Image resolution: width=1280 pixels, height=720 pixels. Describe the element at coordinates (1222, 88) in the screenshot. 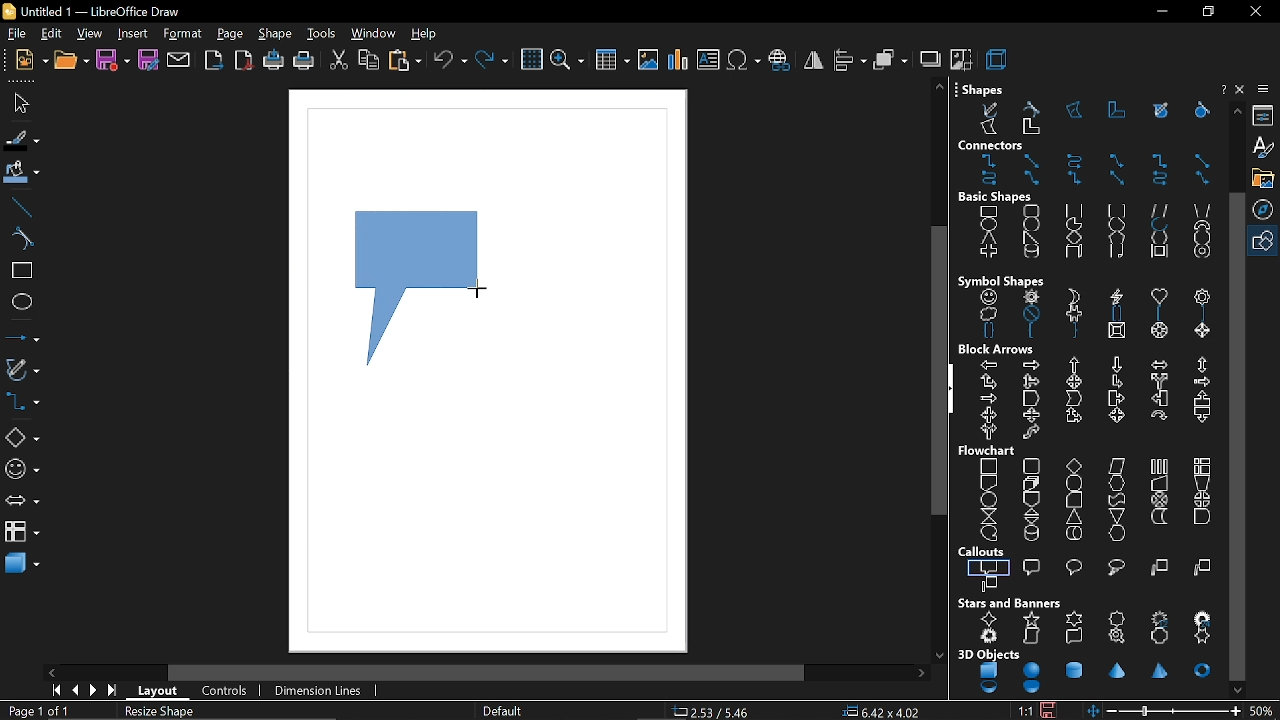

I see `help` at that location.